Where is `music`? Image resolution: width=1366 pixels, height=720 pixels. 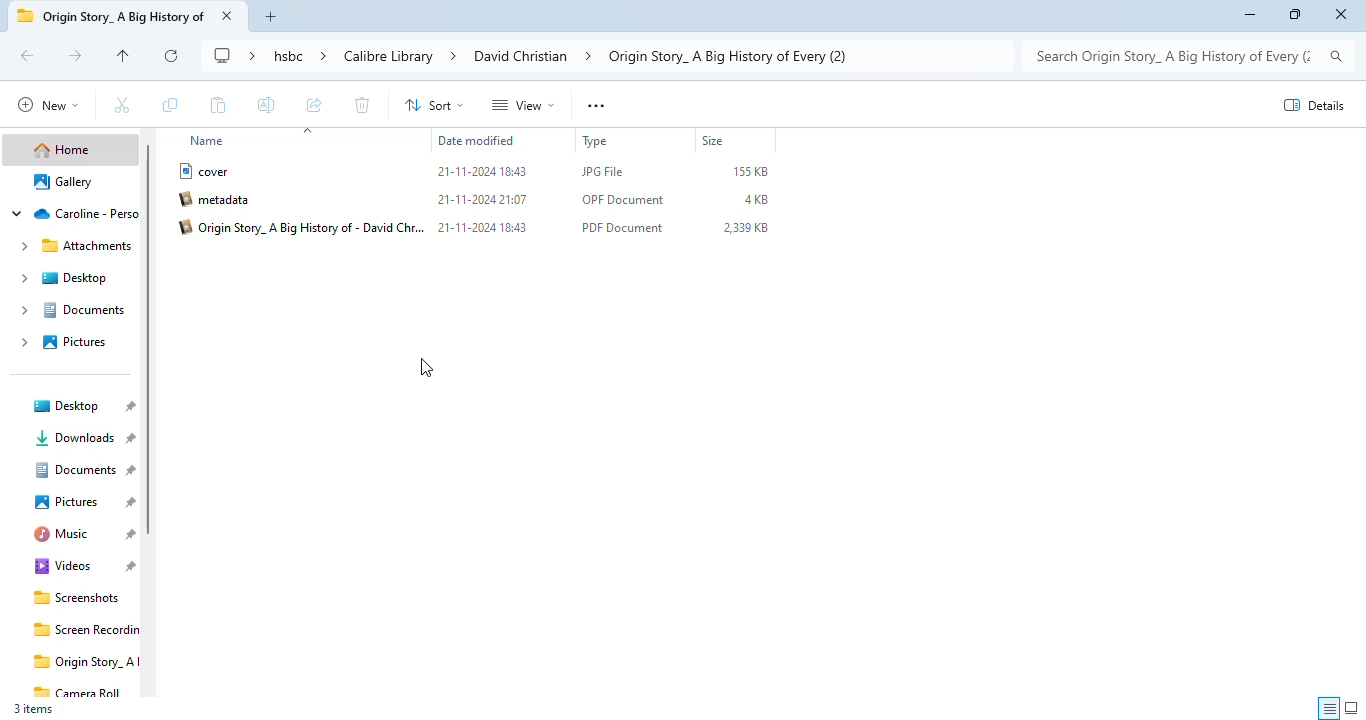
music is located at coordinates (82, 534).